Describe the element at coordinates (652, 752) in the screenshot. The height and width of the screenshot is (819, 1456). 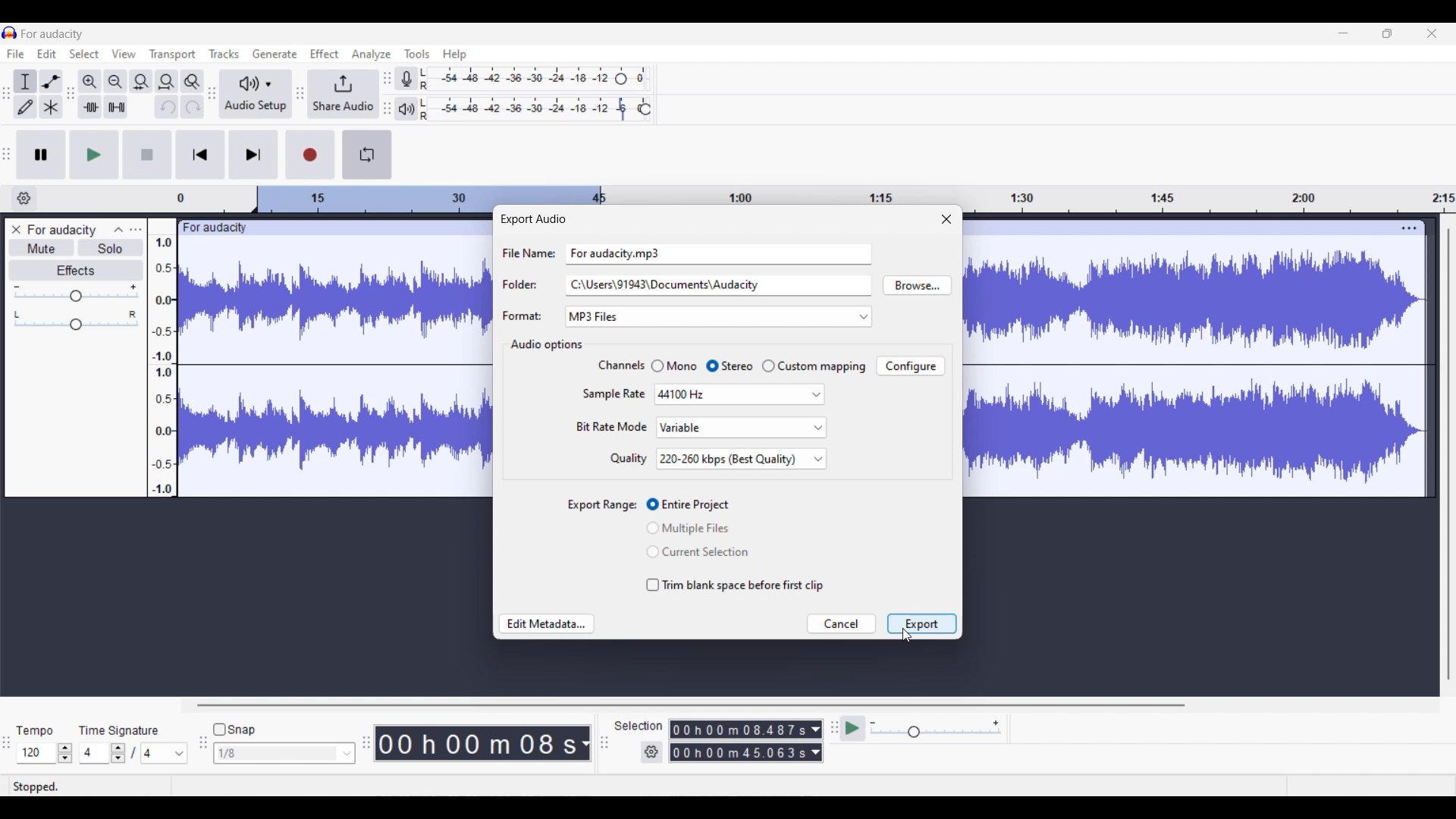
I see `Selection settings` at that location.